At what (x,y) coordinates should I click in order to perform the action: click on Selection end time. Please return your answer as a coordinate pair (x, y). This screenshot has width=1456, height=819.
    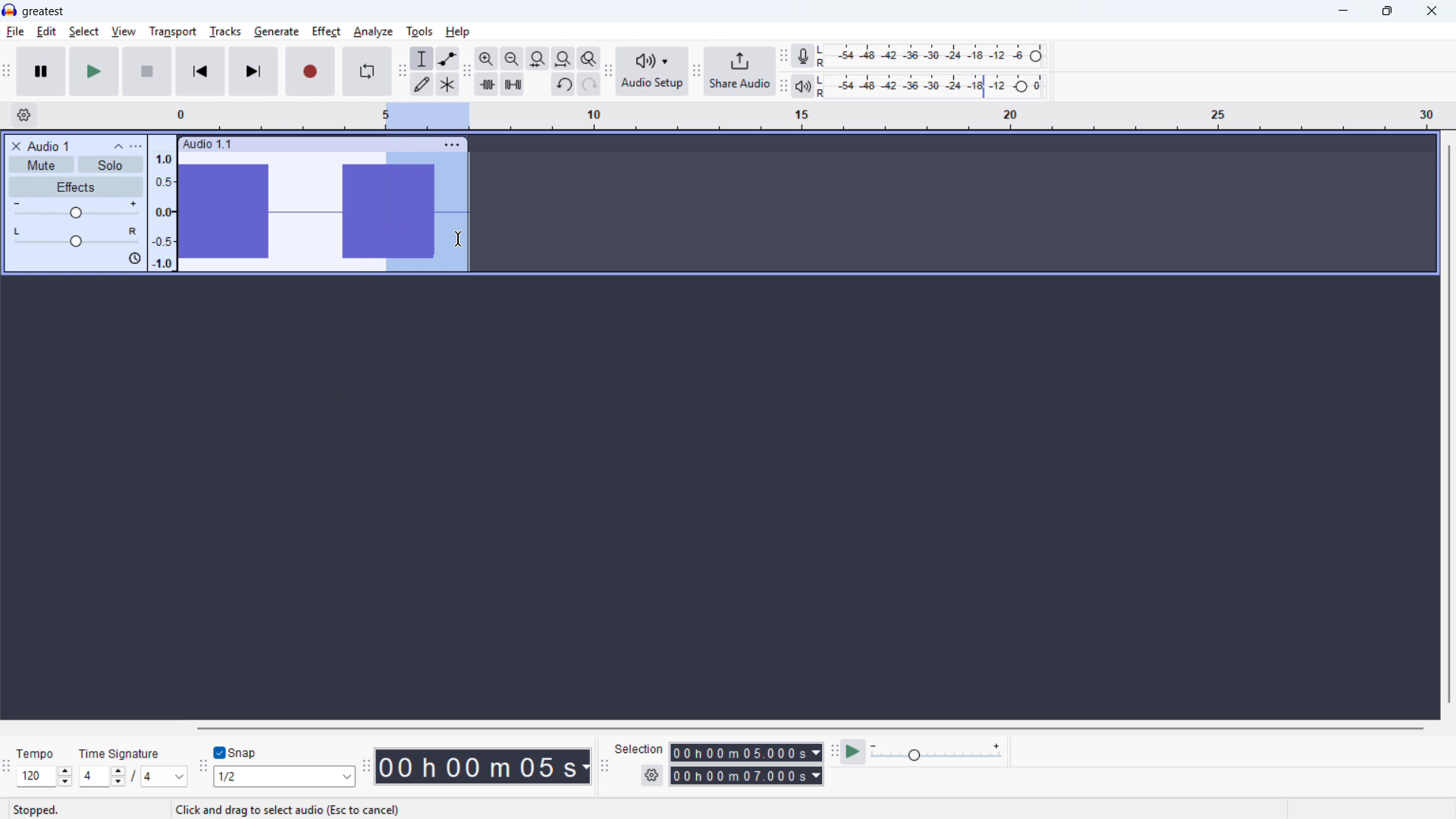
    Looking at the image, I should click on (747, 775).